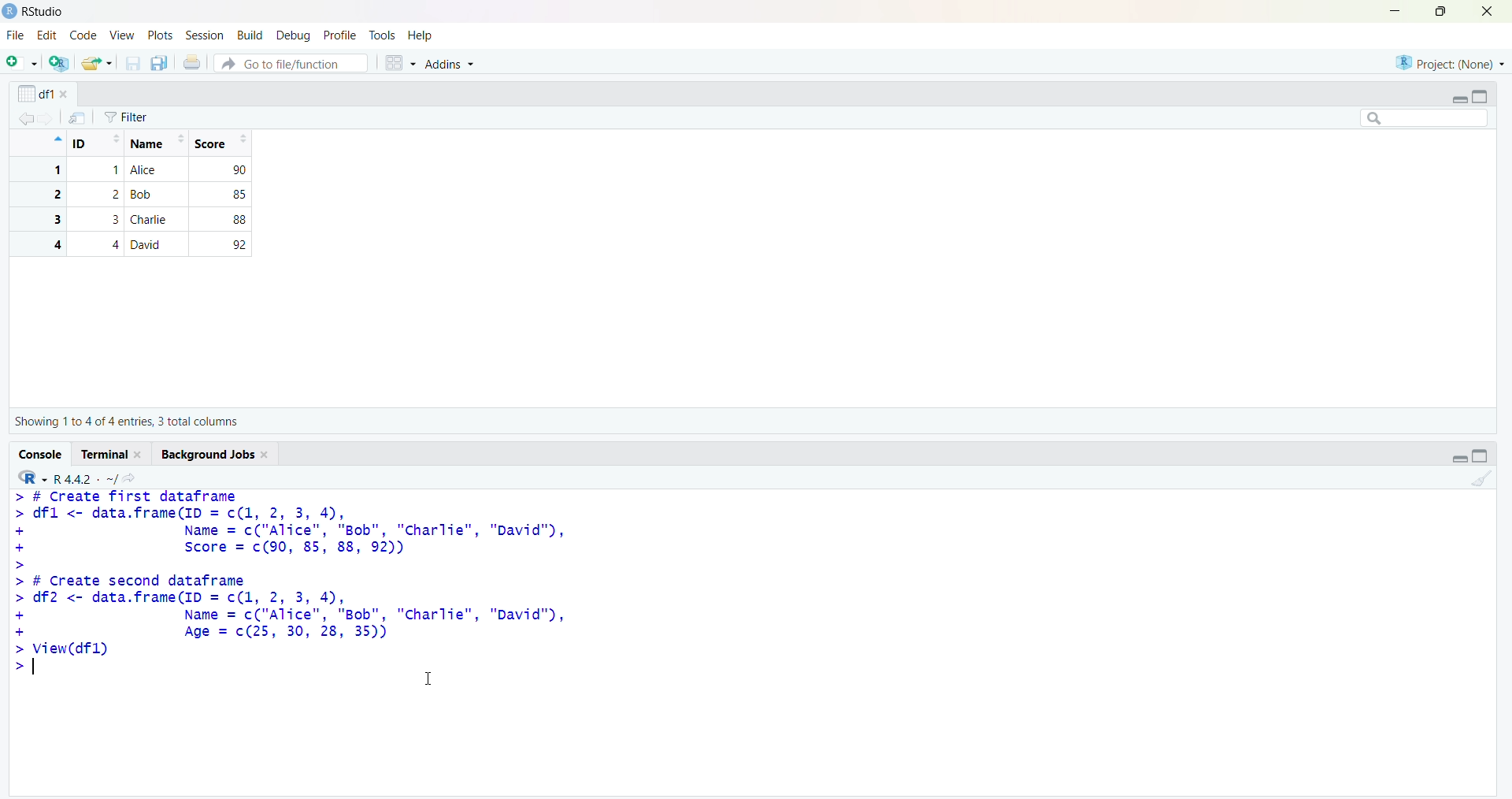  Describe the element at coordinates (208, 455) in the screenshot. I see `Background jobs` at that location.